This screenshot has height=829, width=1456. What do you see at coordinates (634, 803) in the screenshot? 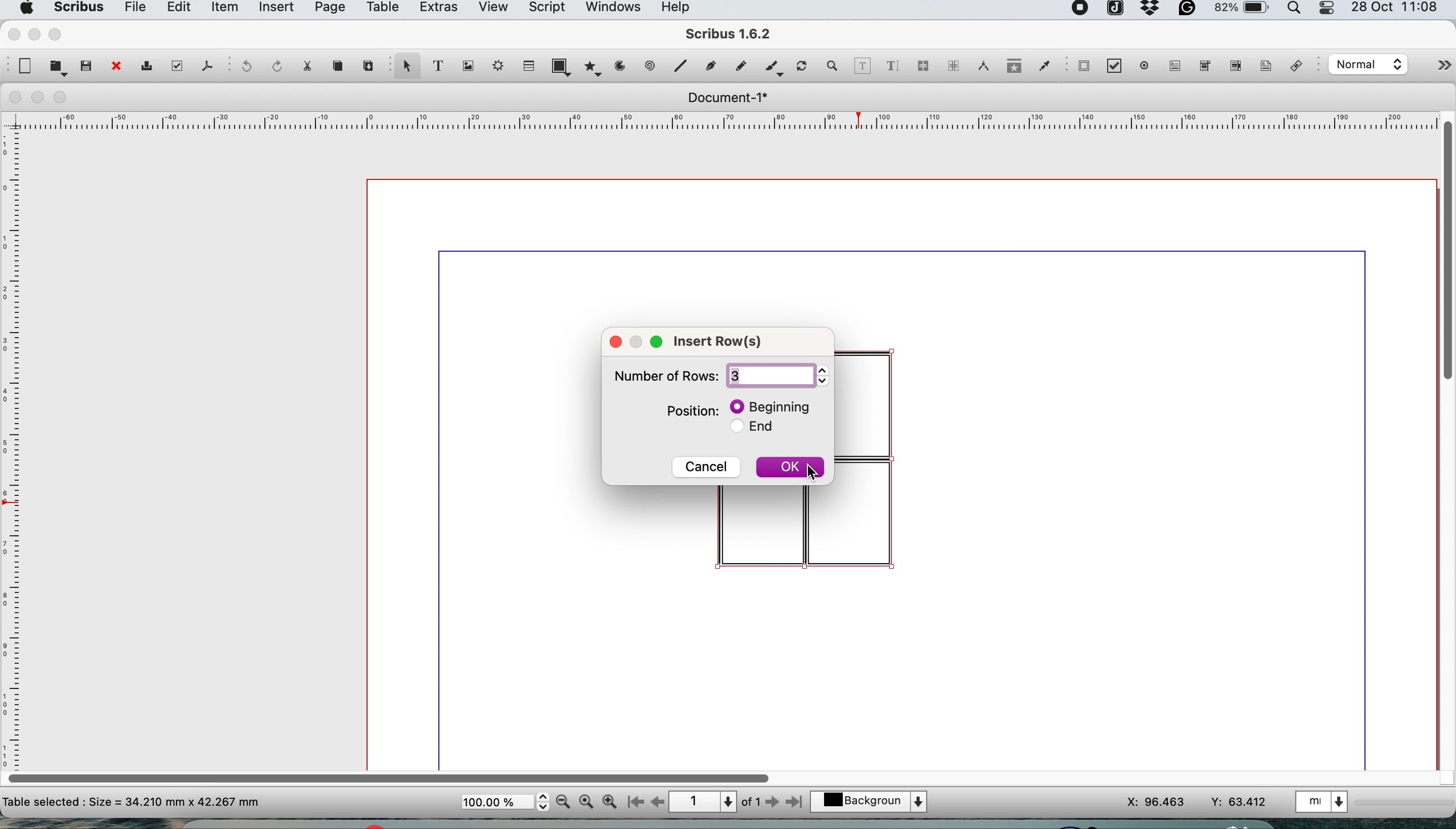
I see `go to first page` at bounding box center [634, 803].